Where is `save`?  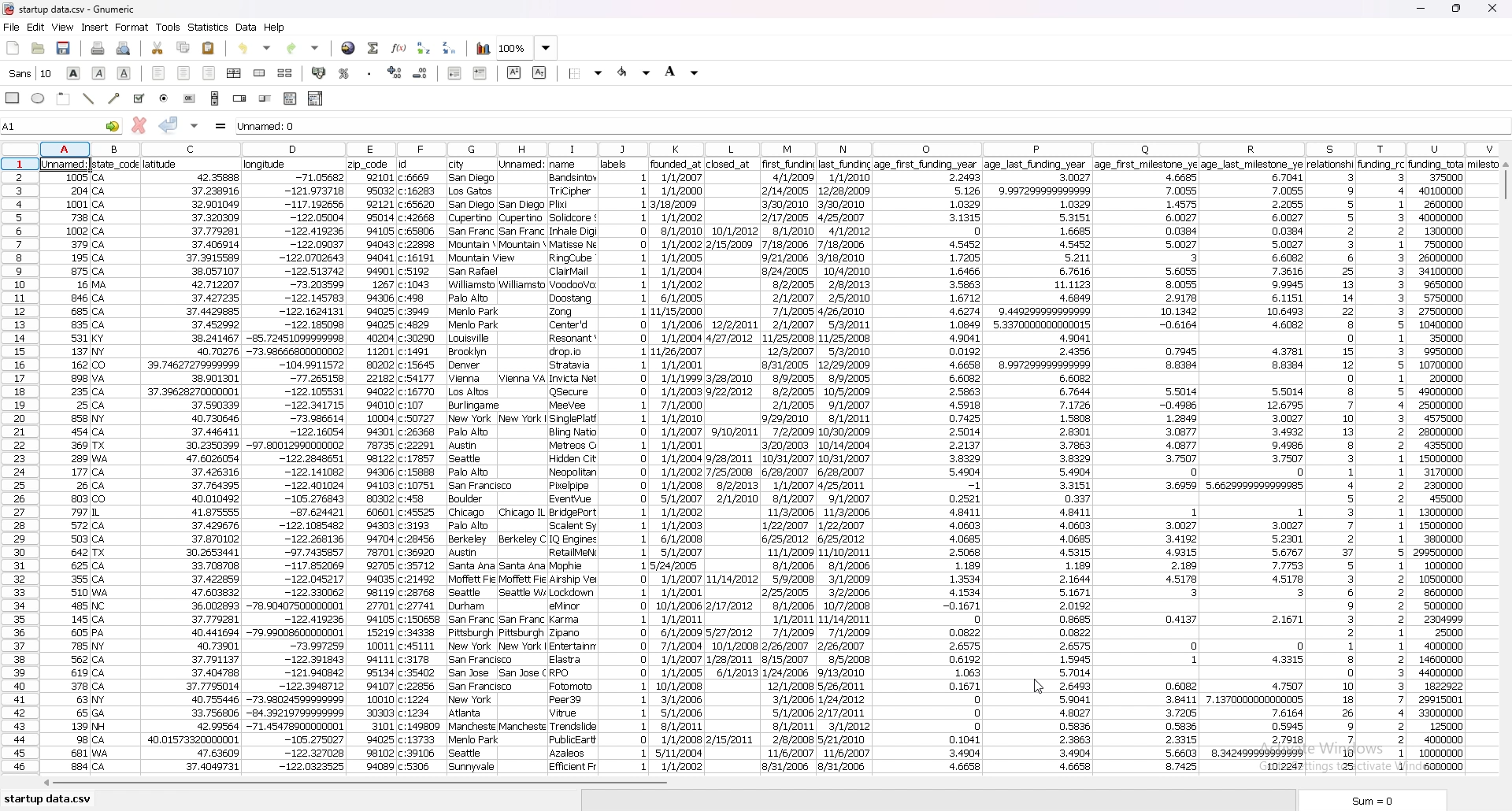 save is located at coordinates (65, 48).